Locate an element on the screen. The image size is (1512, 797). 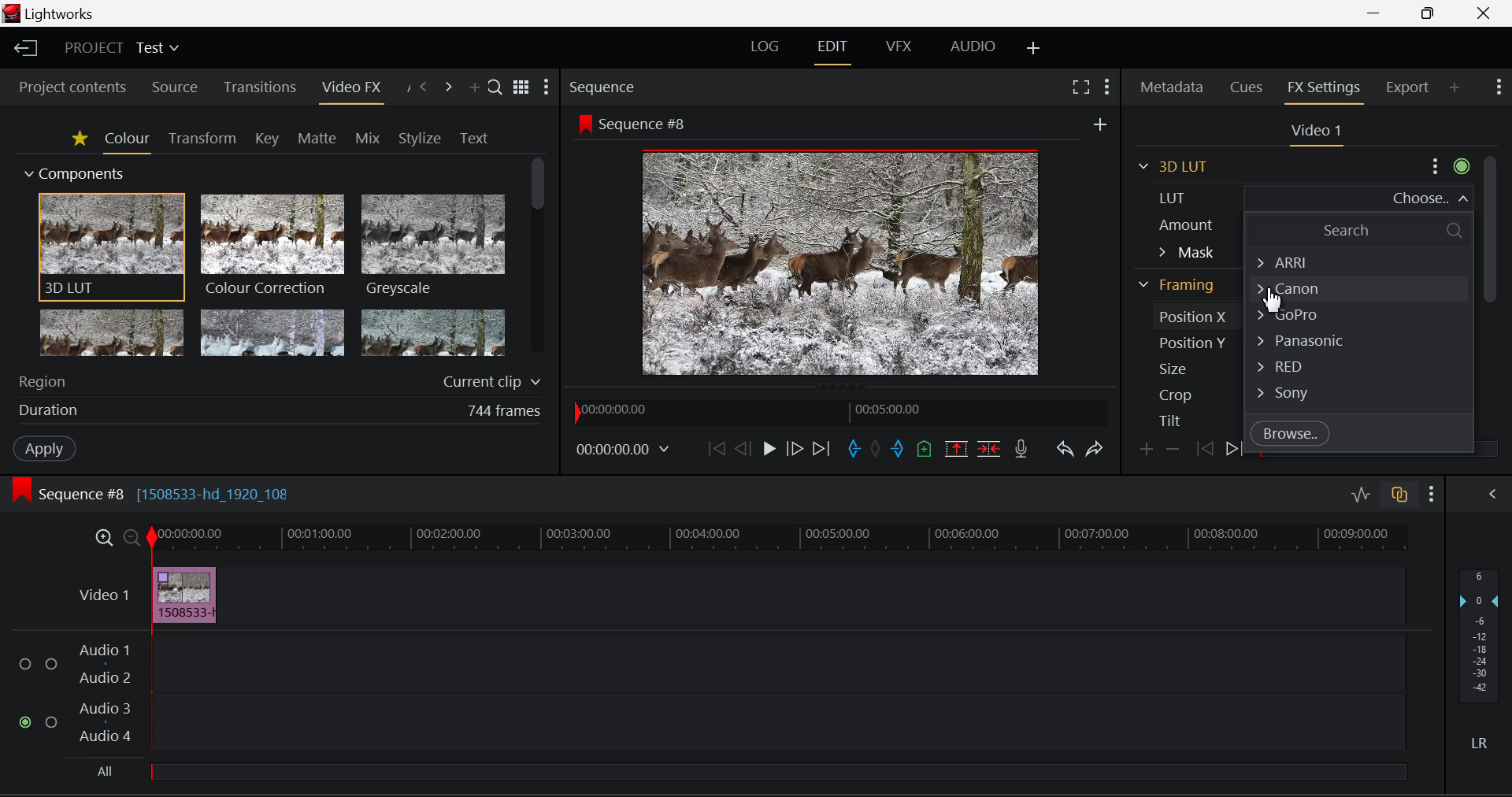
FX Settings is located at coordinates (1322, 91).